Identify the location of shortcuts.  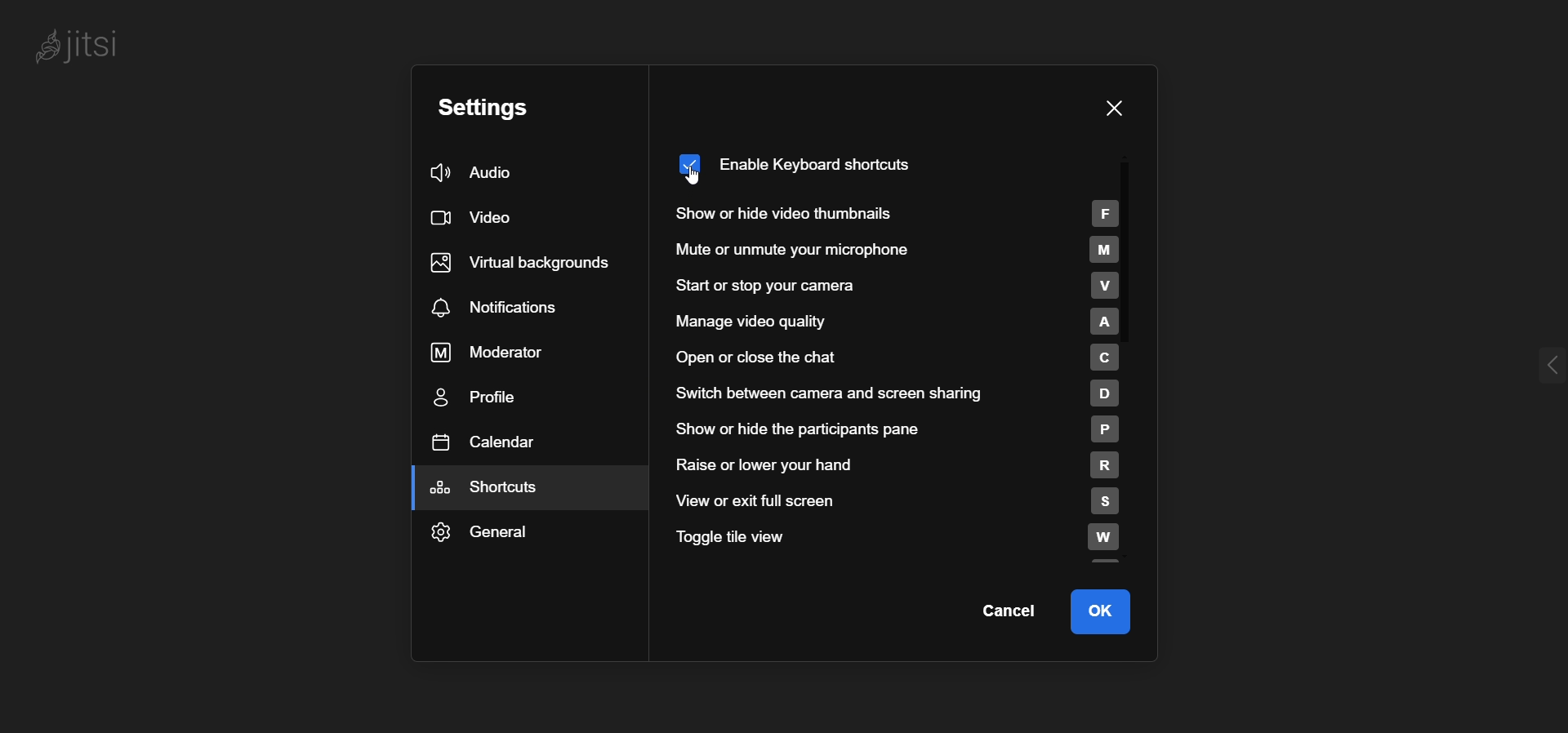
(501, 487).